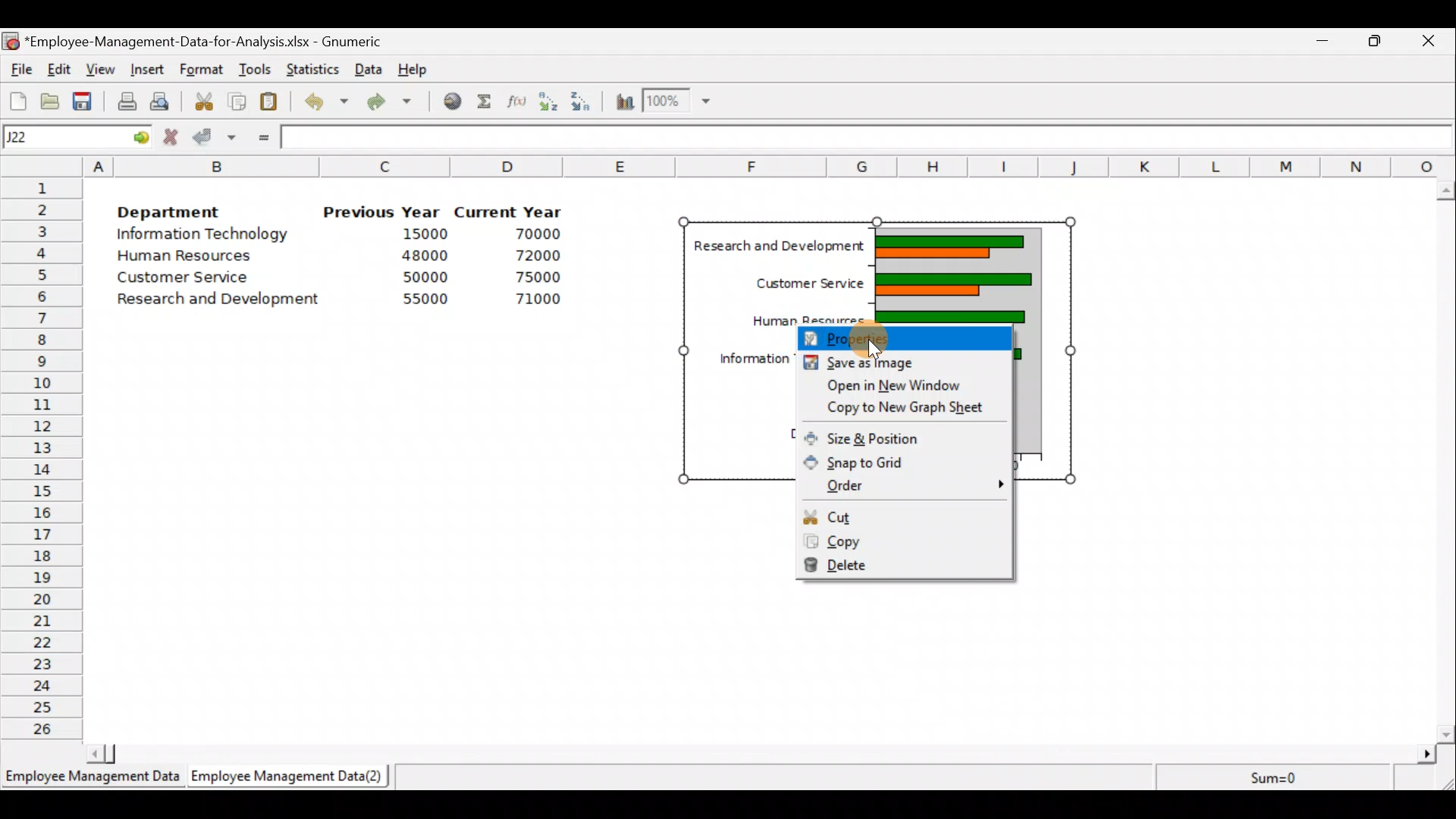 The height and width of the screenshot is (819, 1456). I want to click on Create a new workbook, so click(17, 99).